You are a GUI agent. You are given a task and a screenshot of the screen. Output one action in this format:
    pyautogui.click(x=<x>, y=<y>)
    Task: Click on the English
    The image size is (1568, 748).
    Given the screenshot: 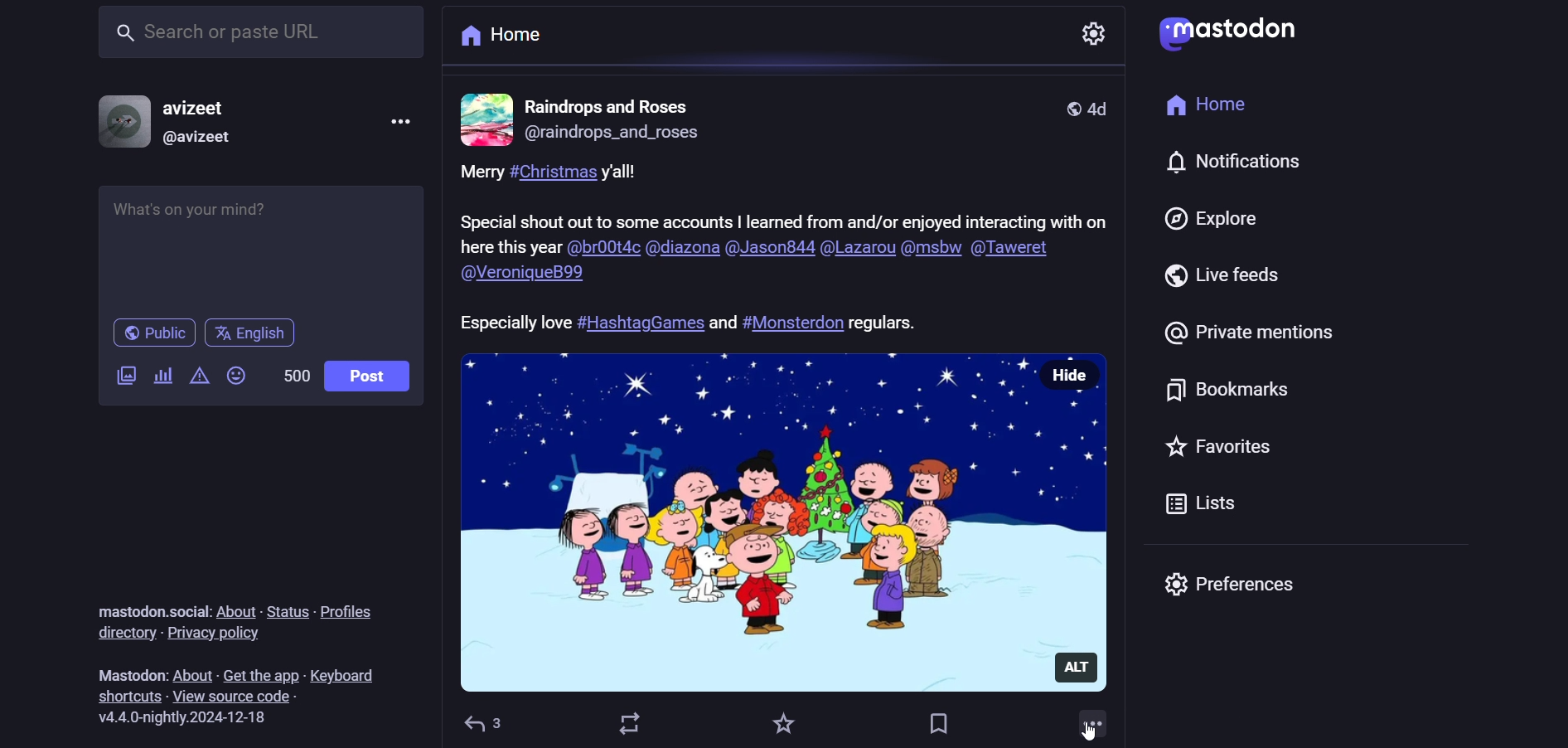 What is the action you would take?
    pyautogui.click(x=259, y=334)
    